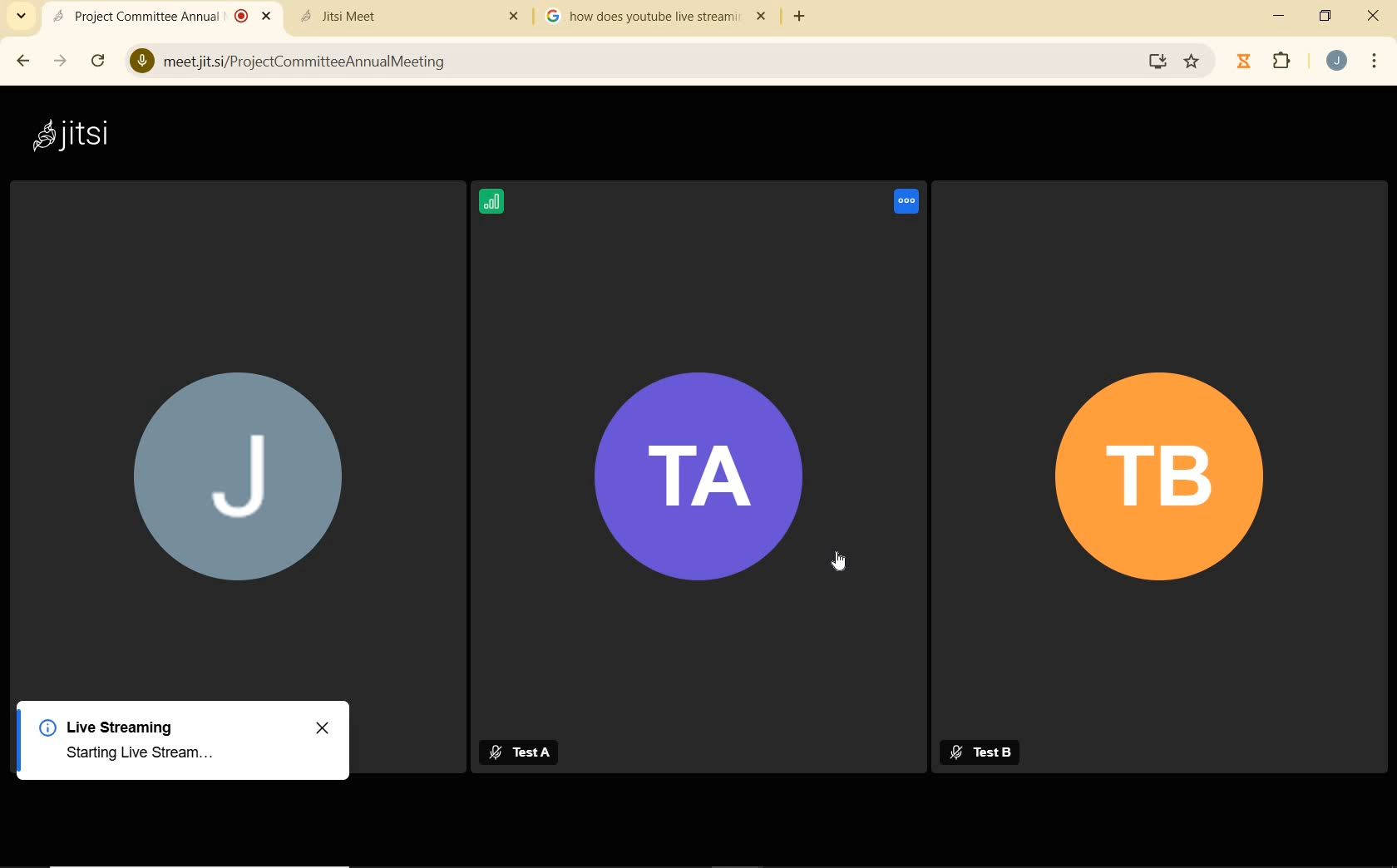 This screenshot has height=868, width=1397. Describe the element at coordinates (86, 142) in the screenshot. I see `jitsi` at that location.